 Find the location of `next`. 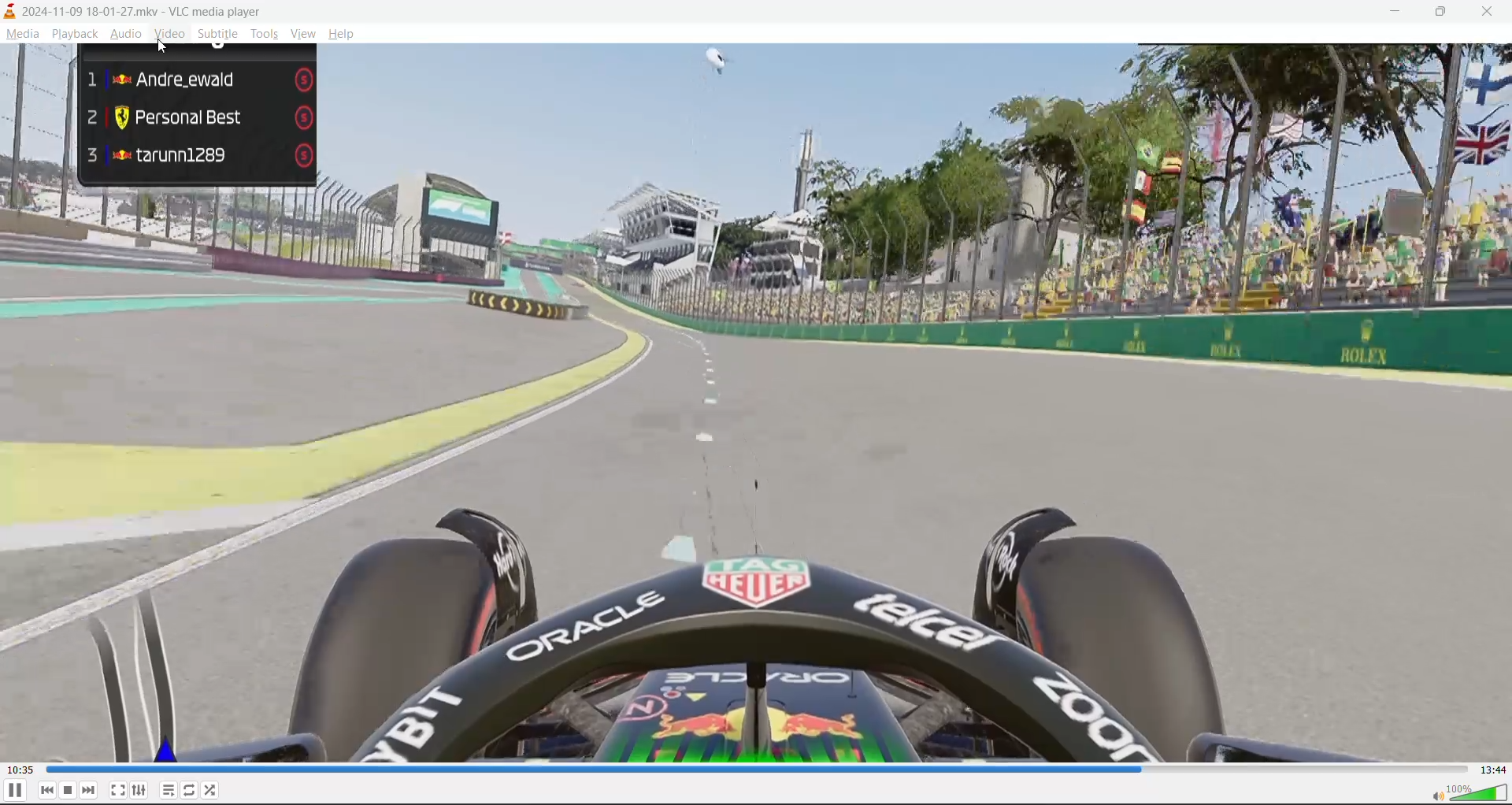

next is located at coordinates (87, 792).